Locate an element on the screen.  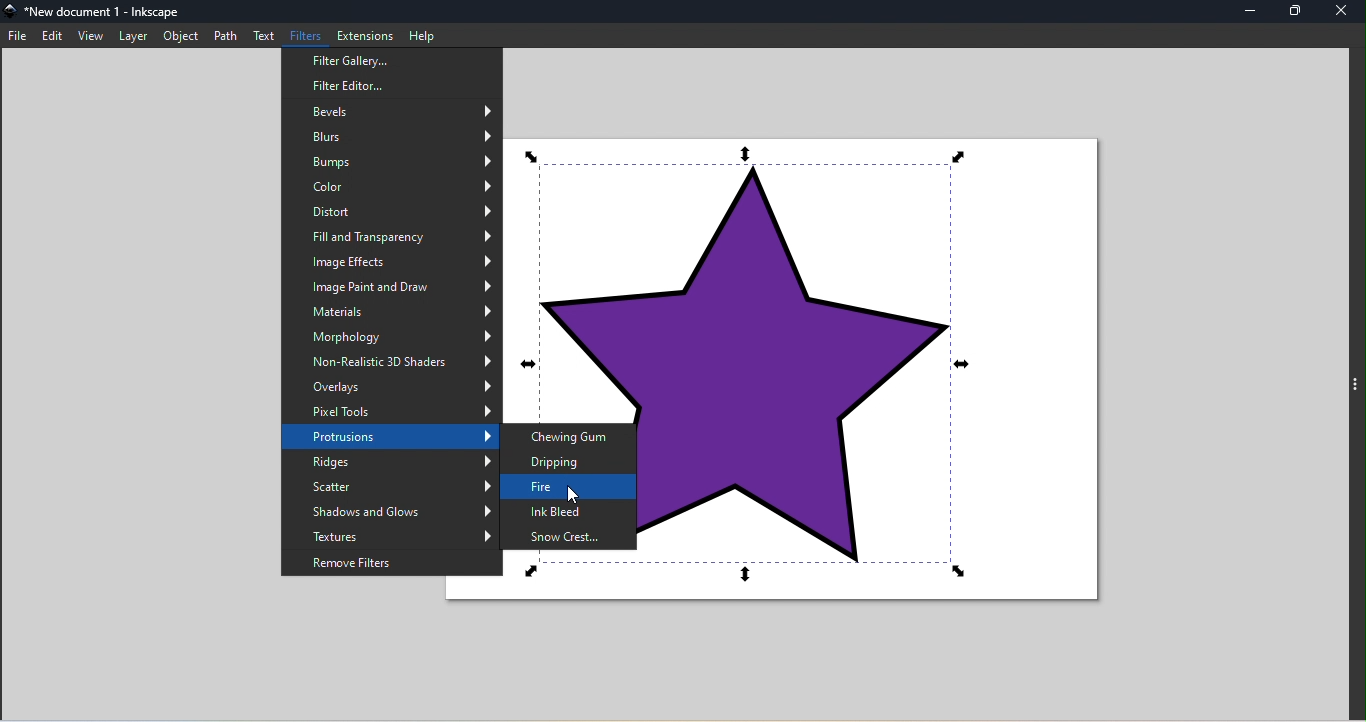
Scatter is located at coordinates (388, 487).